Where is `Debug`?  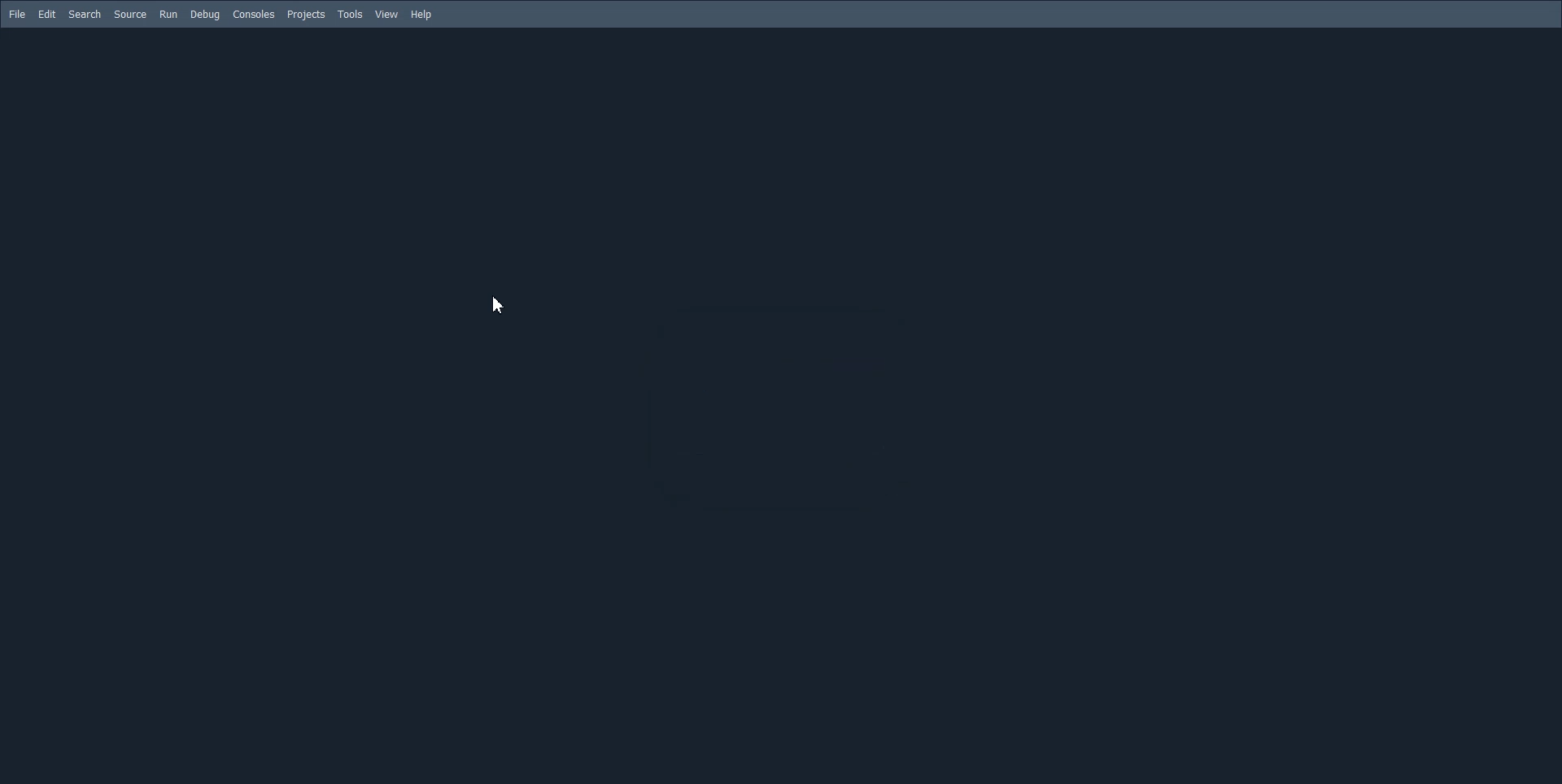
Debug is located at coordinates (205, 15).